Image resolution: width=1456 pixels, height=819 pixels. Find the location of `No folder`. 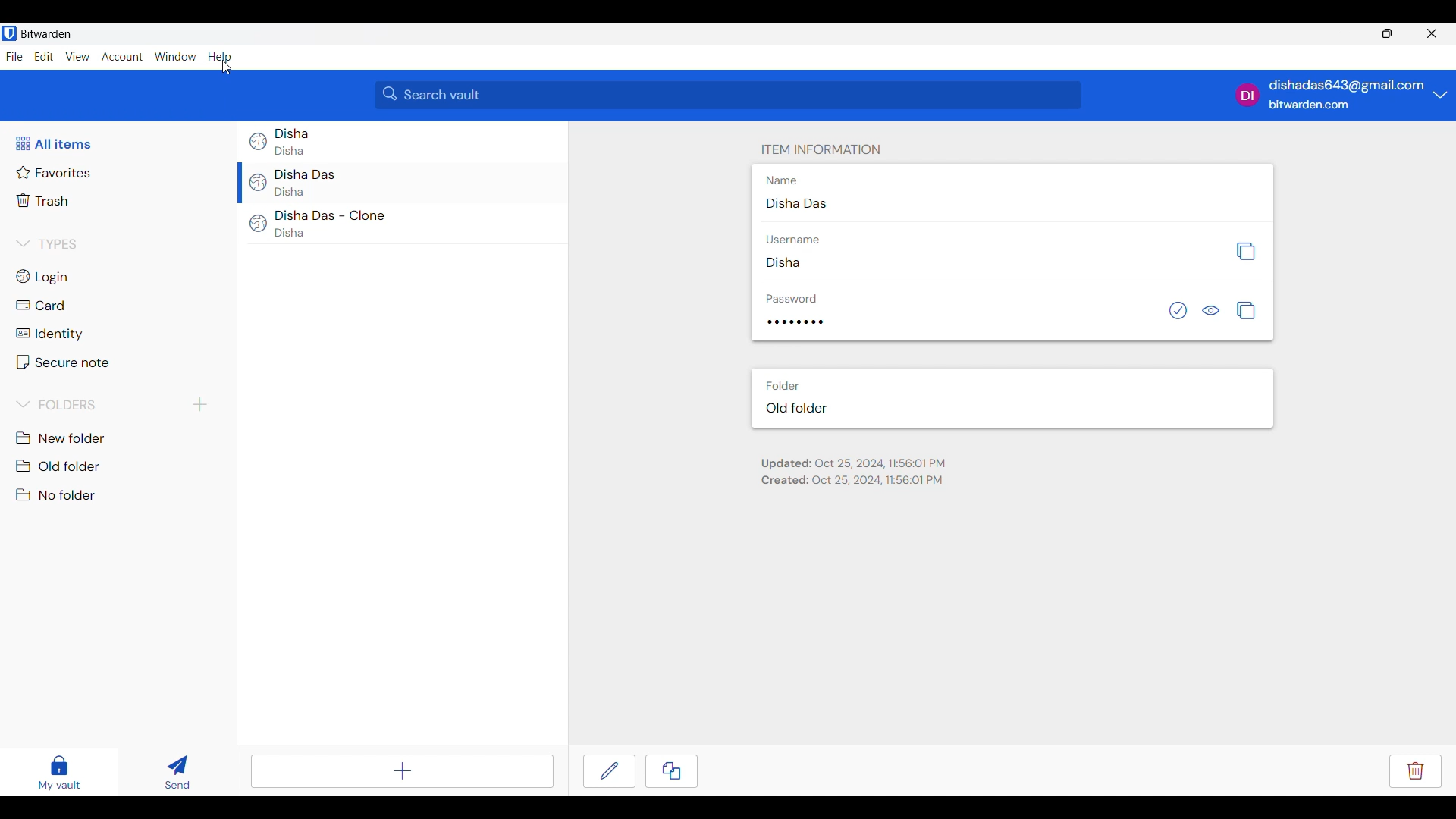

No folder is located at coordinates (57, 494).